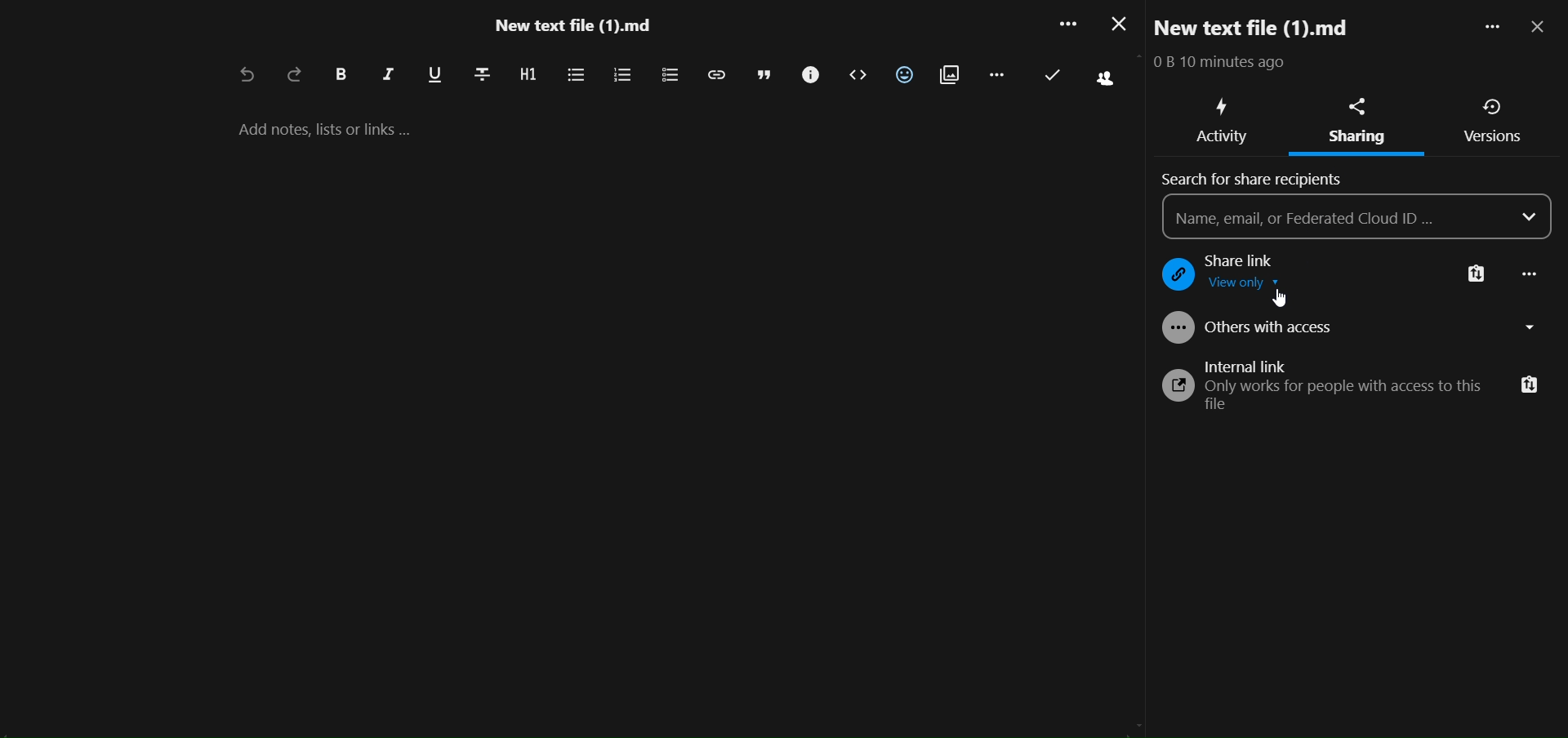  I want to click on last saved, so click(1053, 75).